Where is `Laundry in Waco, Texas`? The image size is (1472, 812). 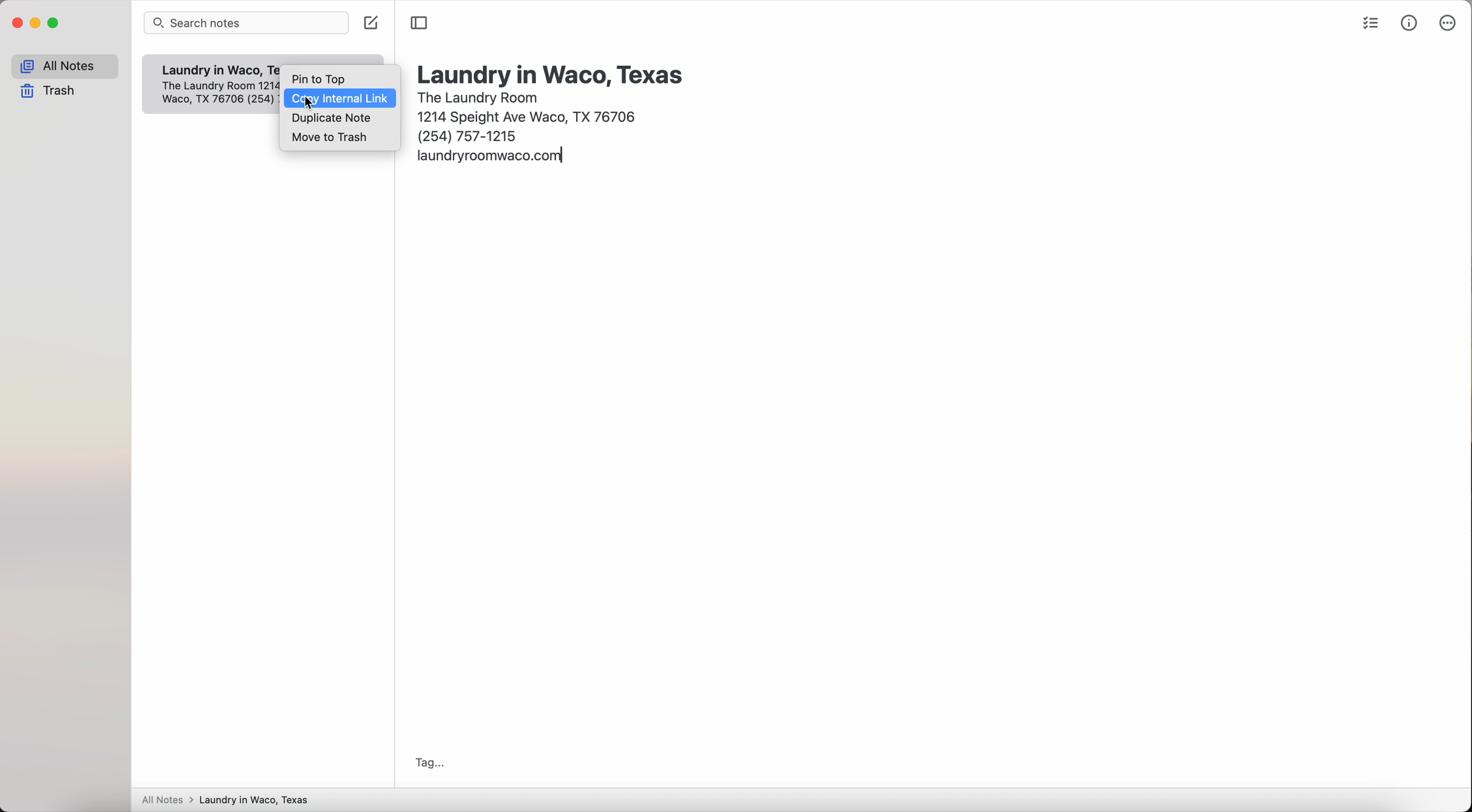
Laundry in Waco, Texas is located at coordinates (215, 71).